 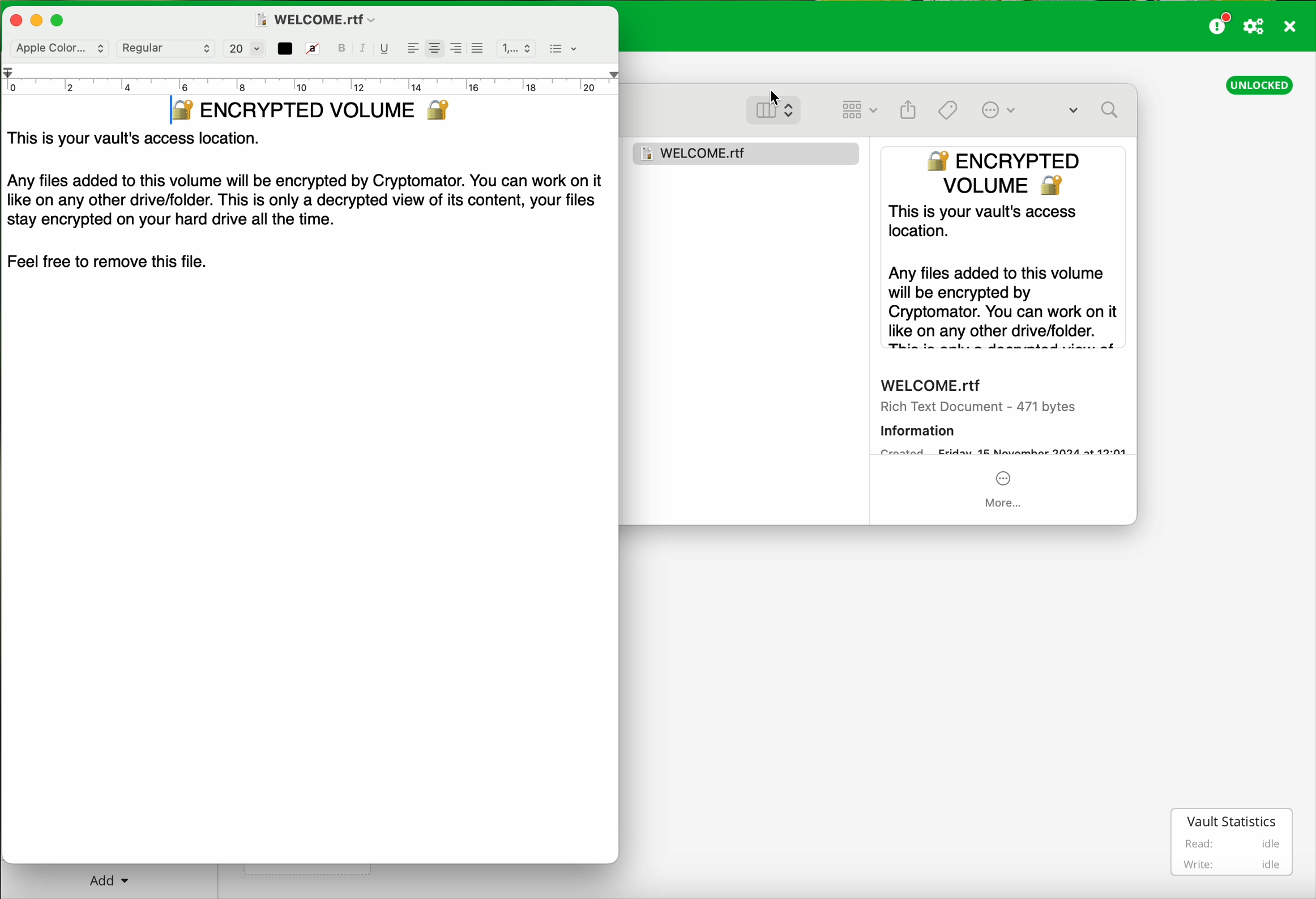 I want to click on Numbering, so click(x=515, y=46).